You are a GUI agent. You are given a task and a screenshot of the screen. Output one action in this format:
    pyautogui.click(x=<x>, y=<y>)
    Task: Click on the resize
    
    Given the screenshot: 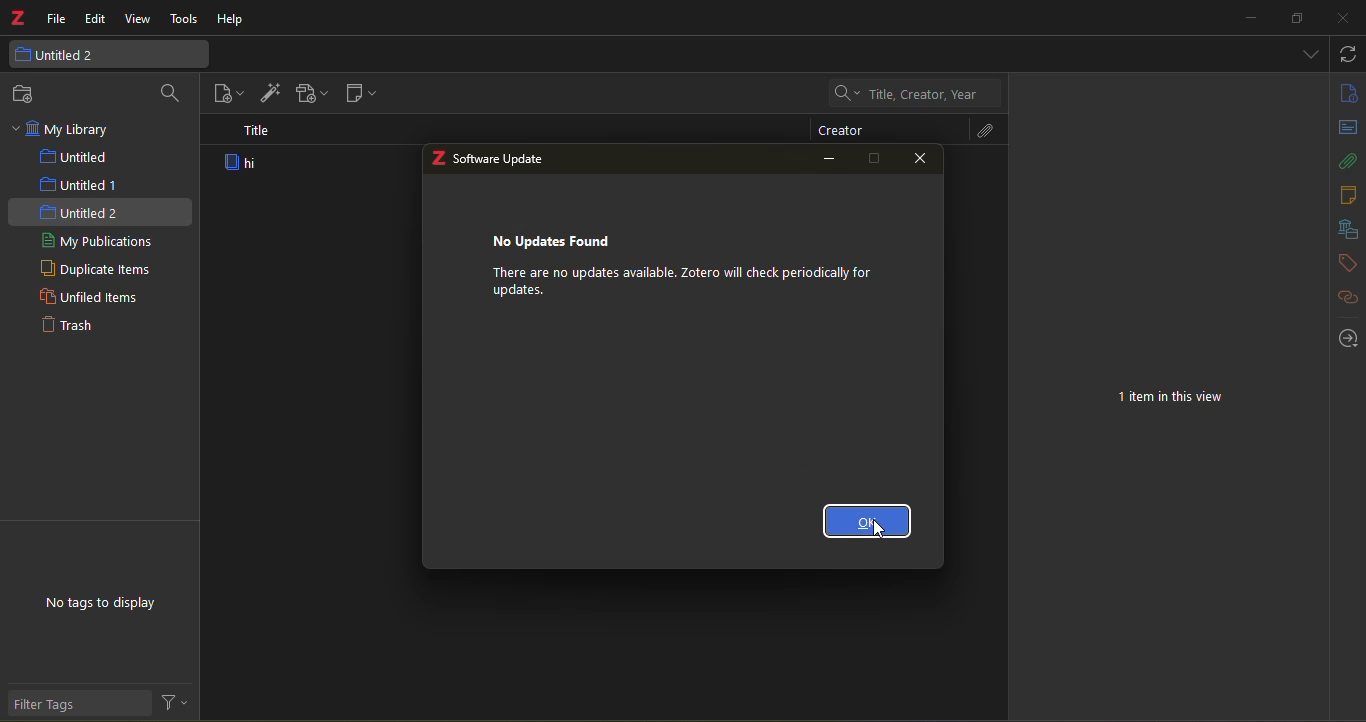 What is the action you would take?
    pyautogui.click(x=876, y=158)
    